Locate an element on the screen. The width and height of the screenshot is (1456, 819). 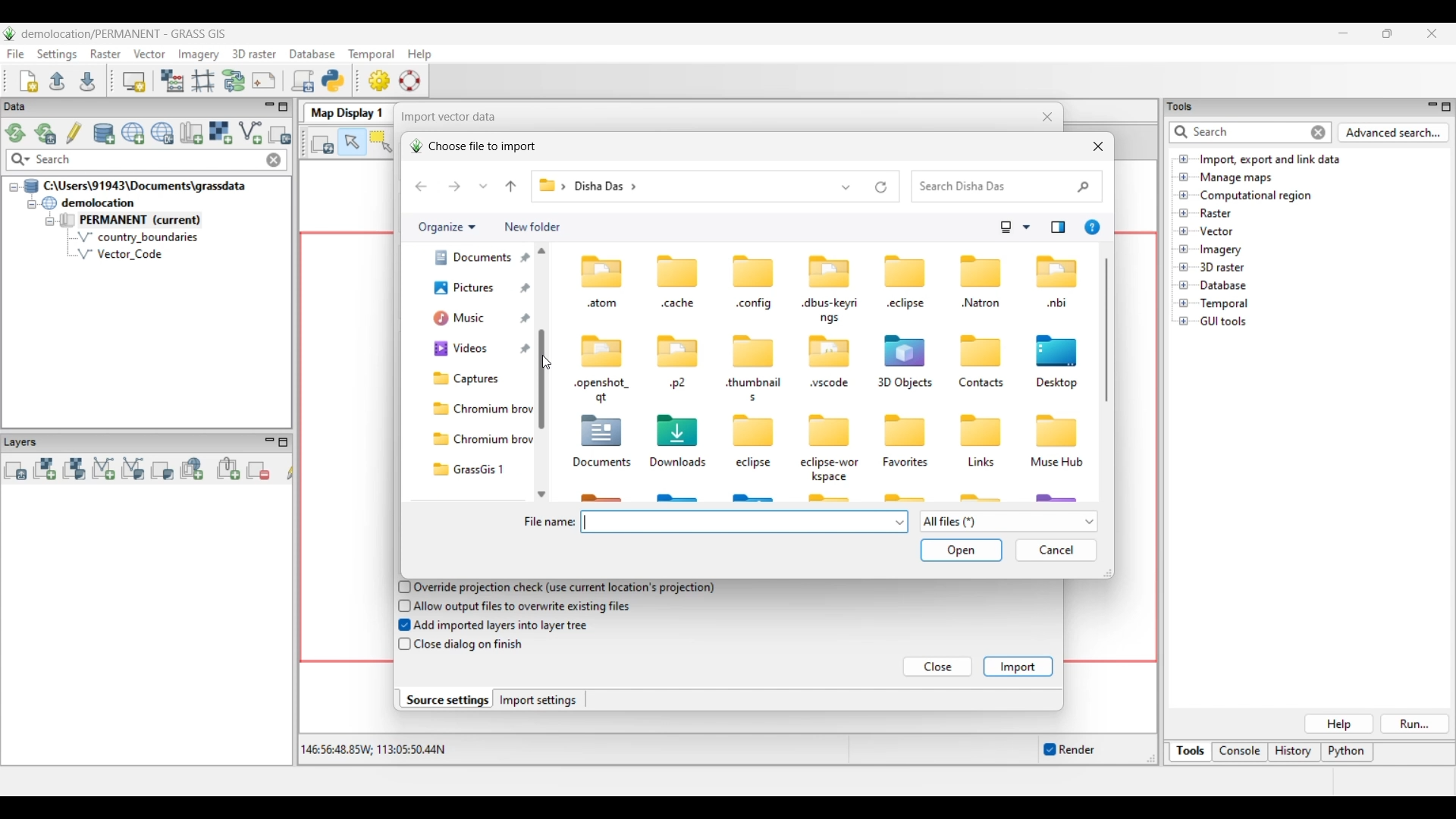
Add various overlays is located at coordinates (162, 470).